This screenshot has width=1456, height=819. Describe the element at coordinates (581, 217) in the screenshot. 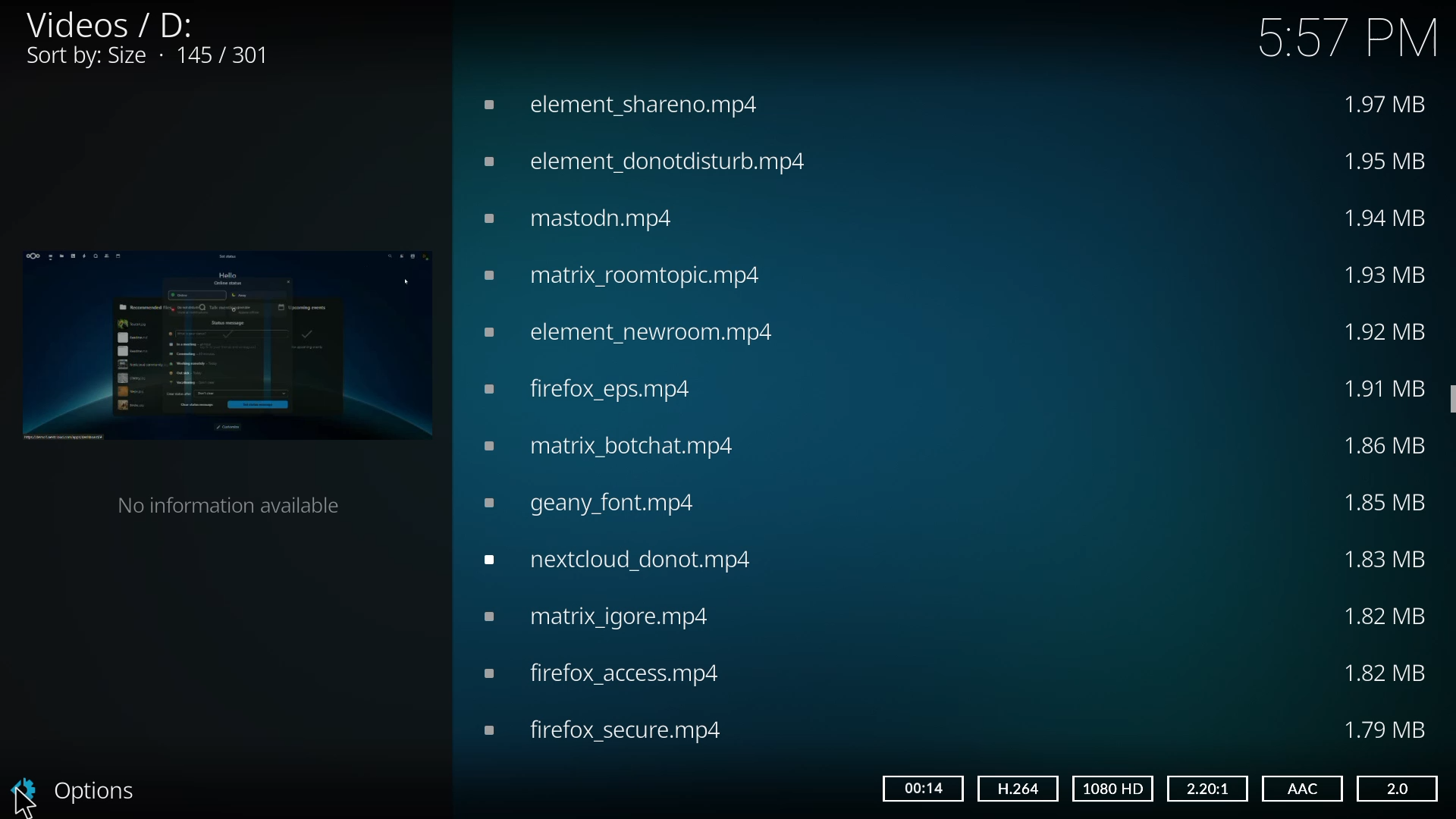

I see `video` at that location.